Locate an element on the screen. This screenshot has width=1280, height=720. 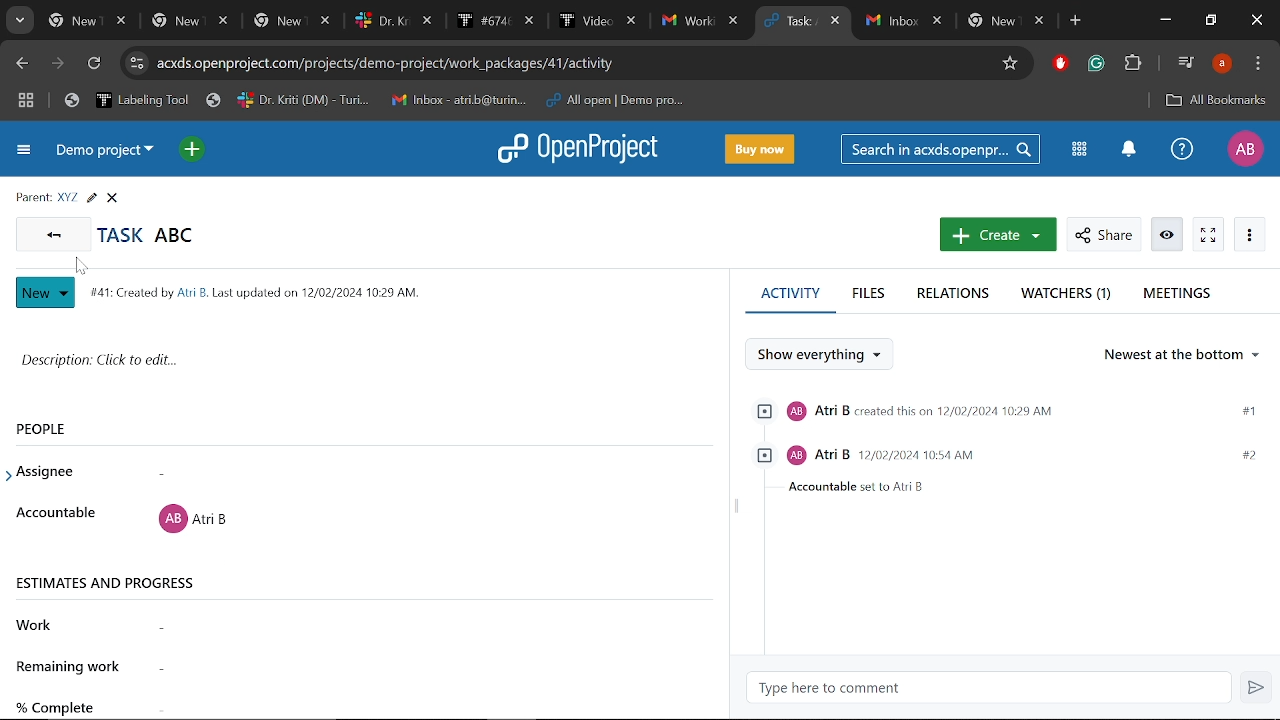
Other tabs is located at coordinates (959, 21).